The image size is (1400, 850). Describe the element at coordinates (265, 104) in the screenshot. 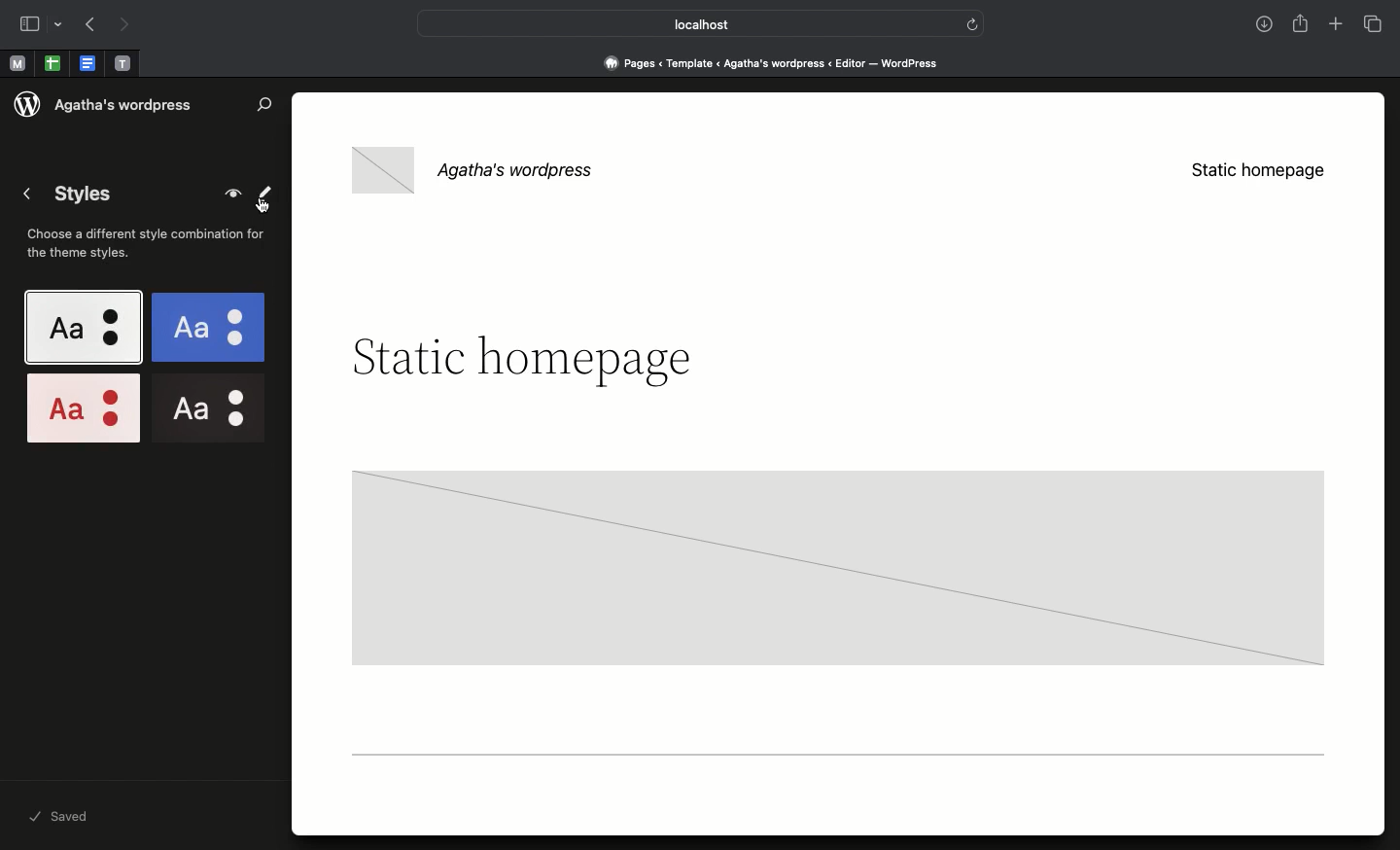

I see `Search` at that location.